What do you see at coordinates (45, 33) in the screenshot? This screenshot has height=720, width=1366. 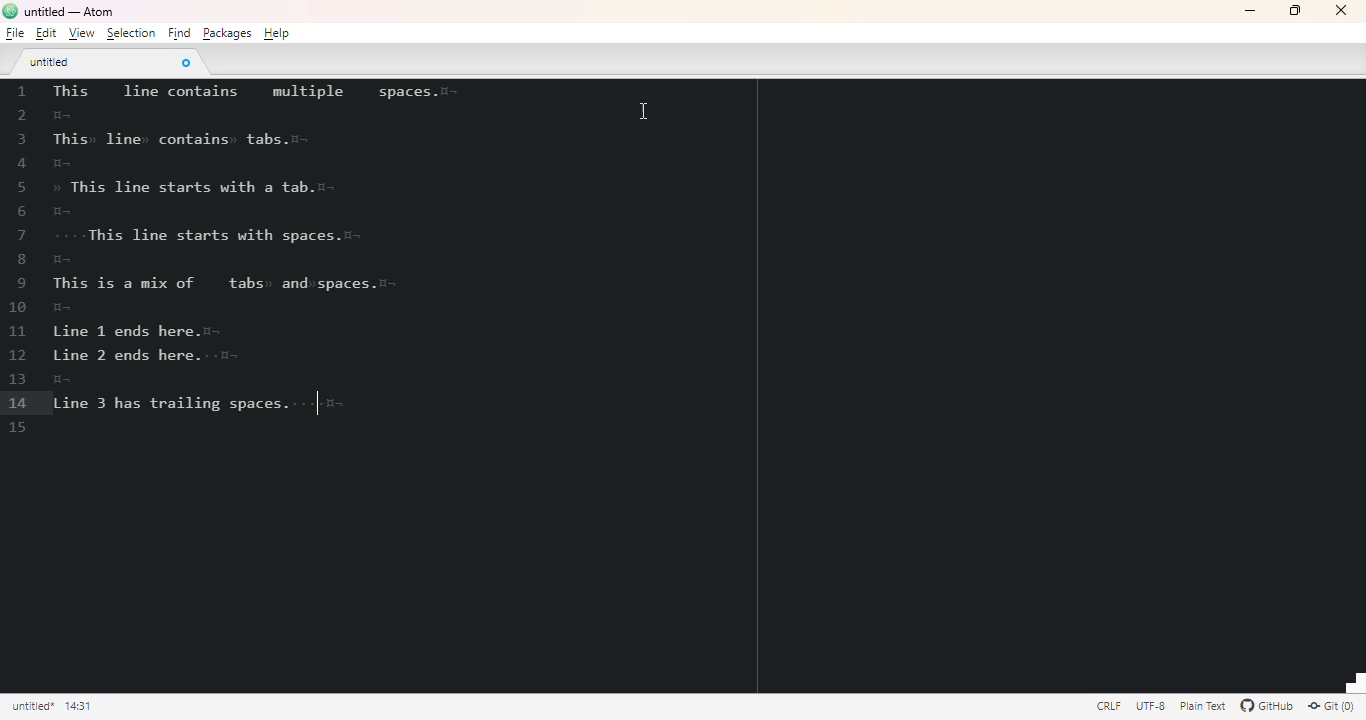 I see `edit` at bounding box center [45, 33].